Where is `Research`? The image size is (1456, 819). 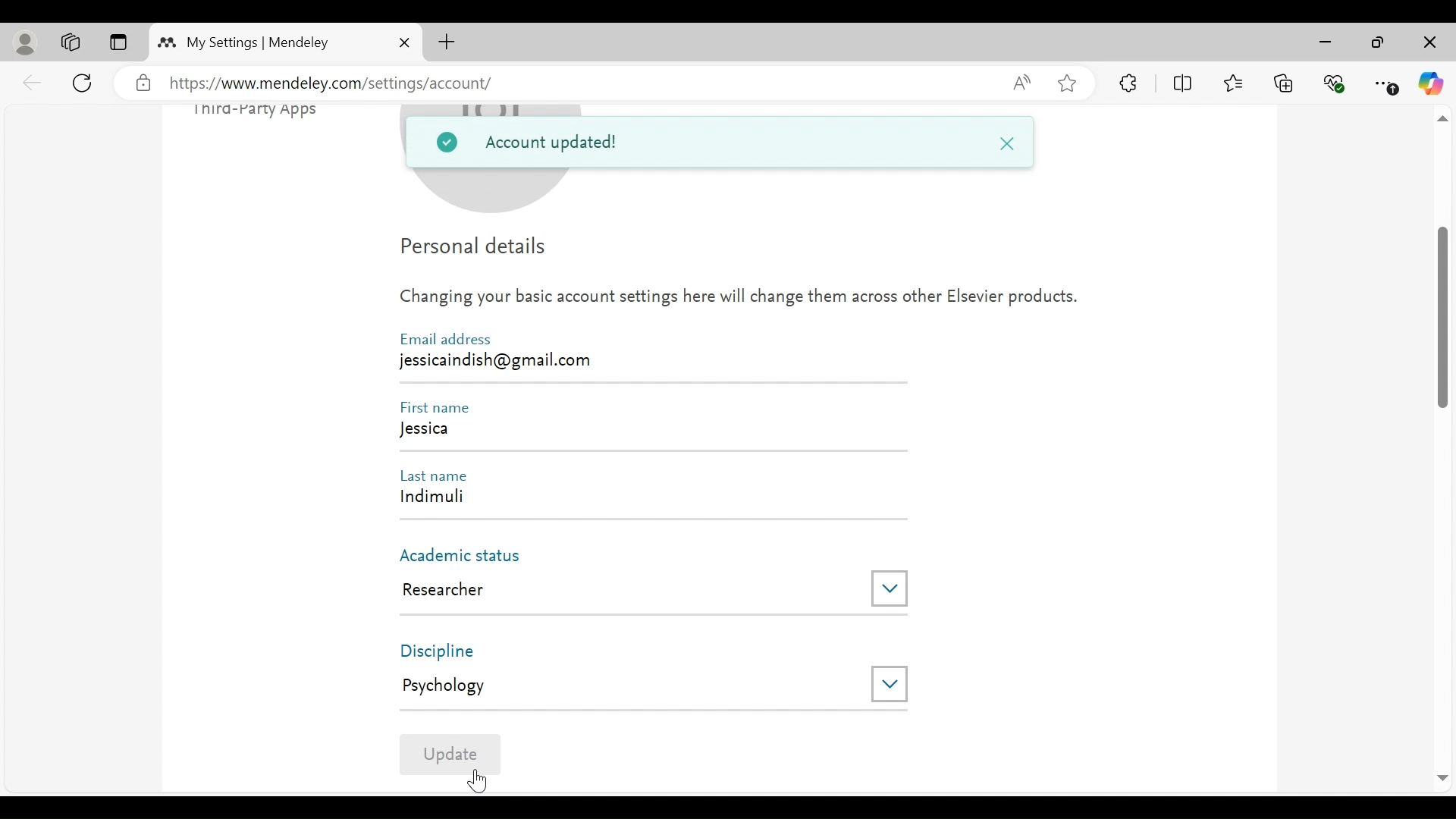
Research is located at coordinates (625, 590).